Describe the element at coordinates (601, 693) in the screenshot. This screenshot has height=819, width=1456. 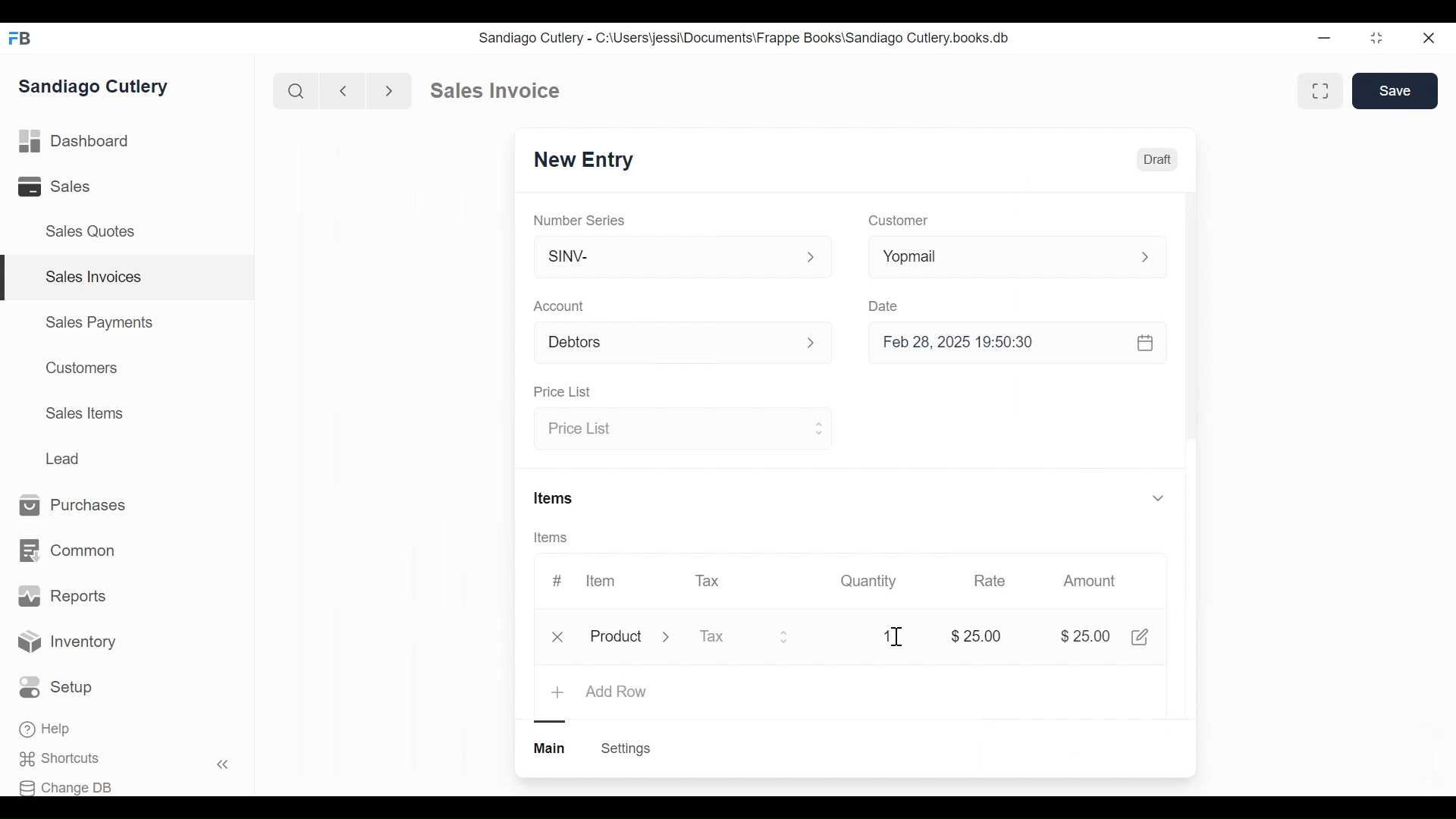
I see `+ Add Row` at that location.